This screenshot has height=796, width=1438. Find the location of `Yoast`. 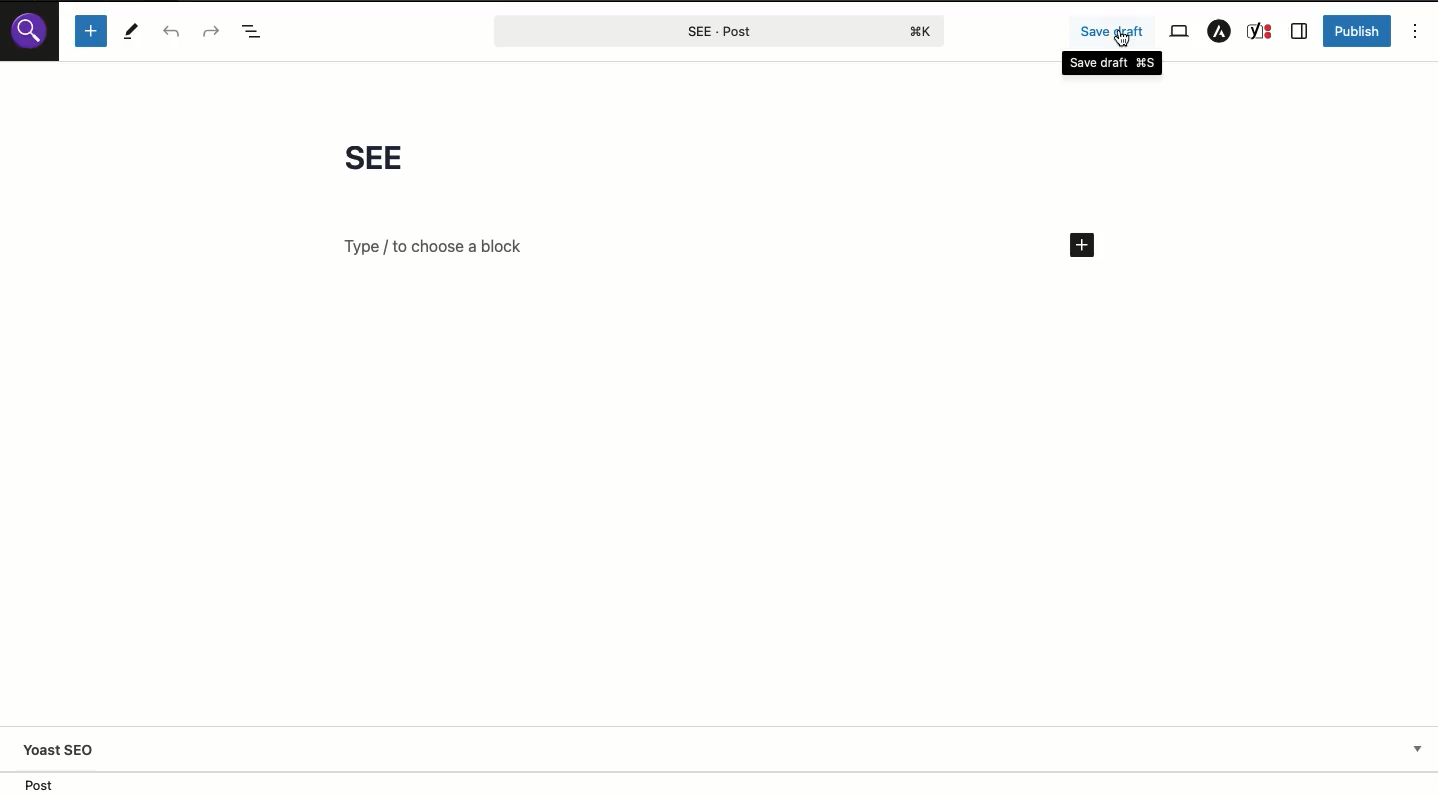

Yoast is located at coordinates (1261, 31).